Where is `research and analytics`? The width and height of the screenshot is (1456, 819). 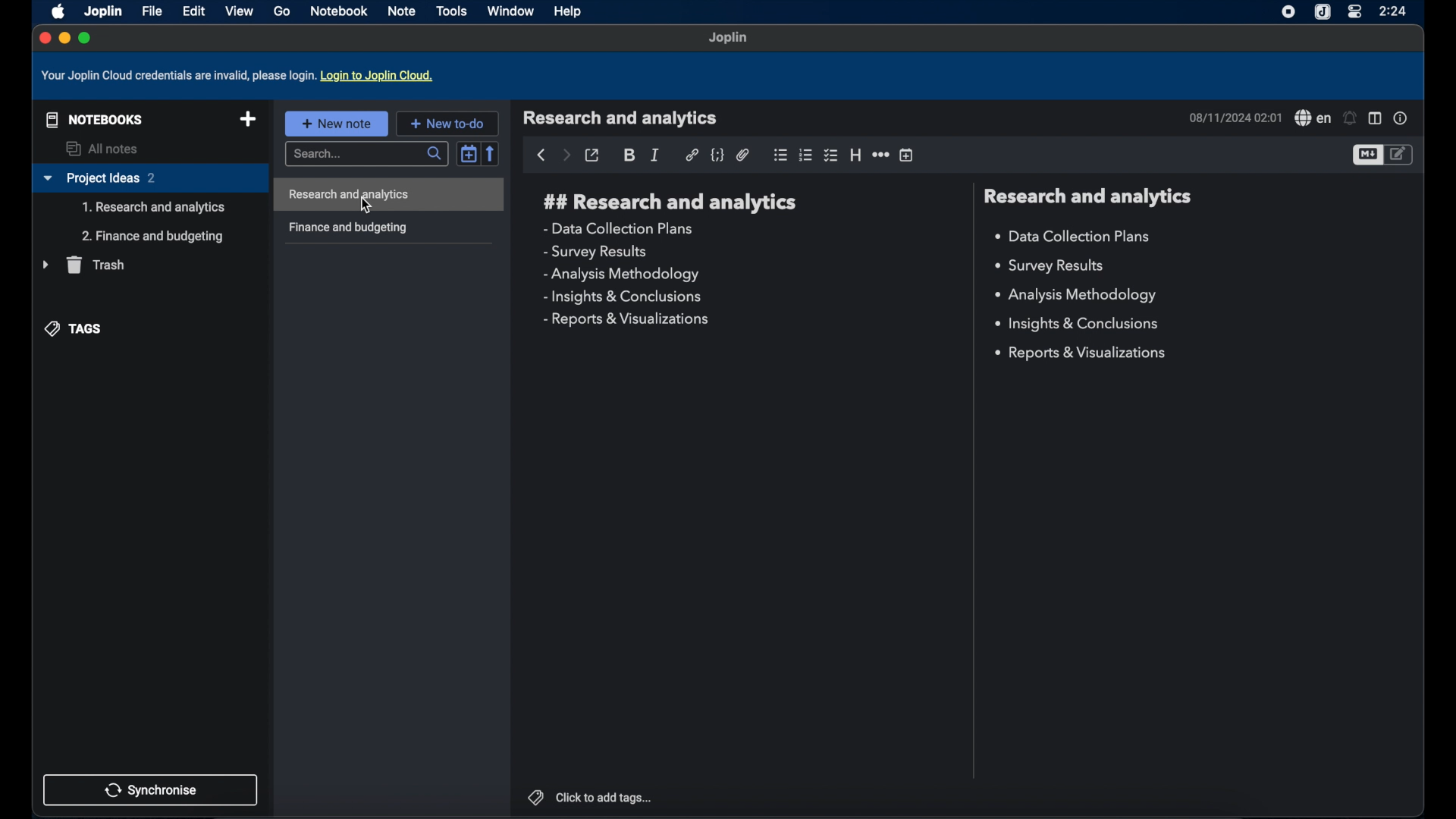
research and analytics is located at coordinates (670, 202).